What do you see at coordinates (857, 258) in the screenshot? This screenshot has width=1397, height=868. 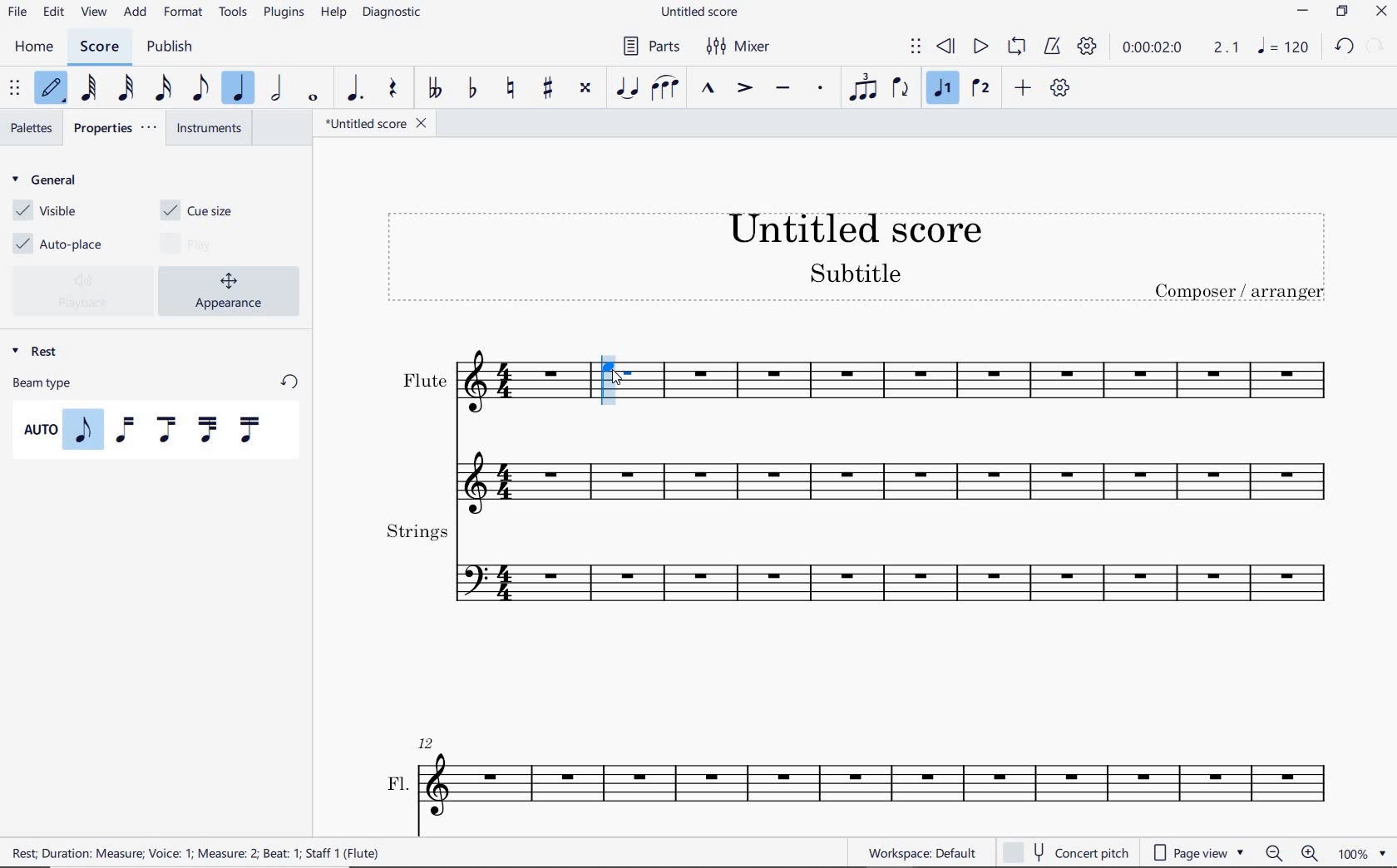 I see `title` at bounding box center [857, 258].